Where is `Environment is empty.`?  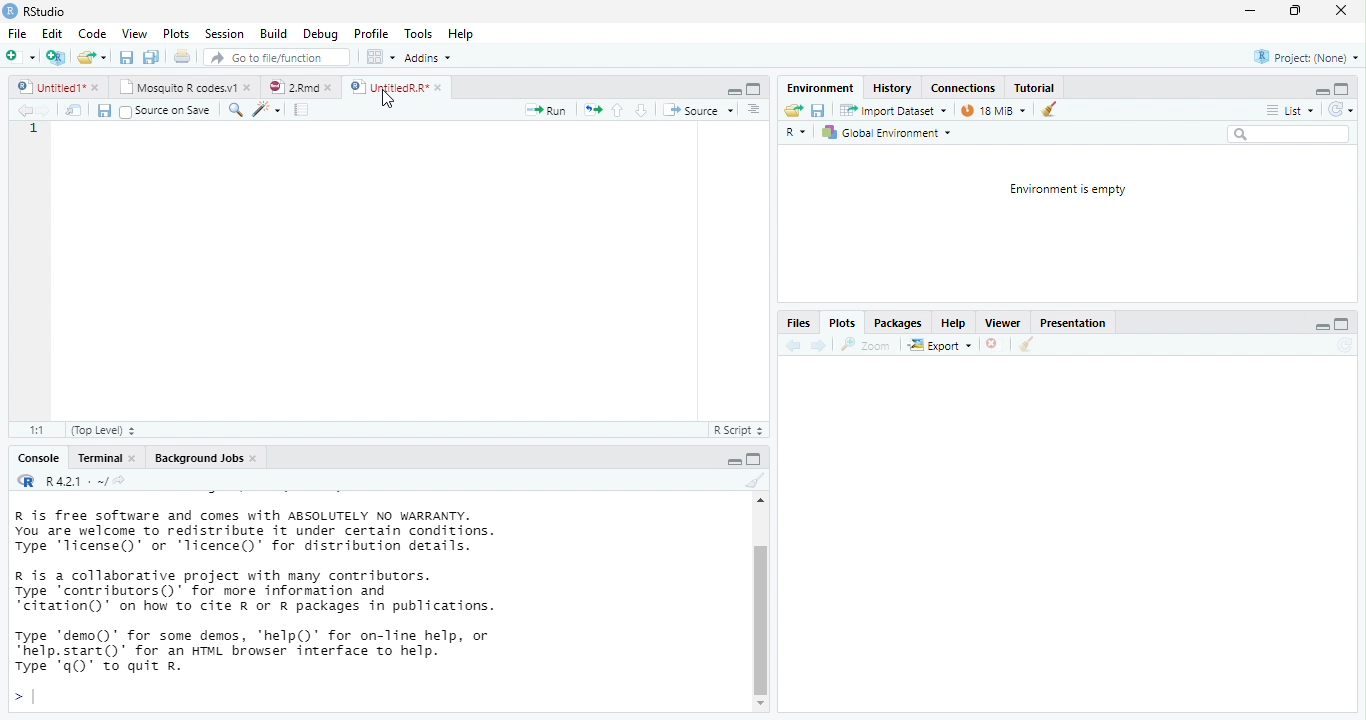 Environment is empty. is located at coordinates (1067, 190).